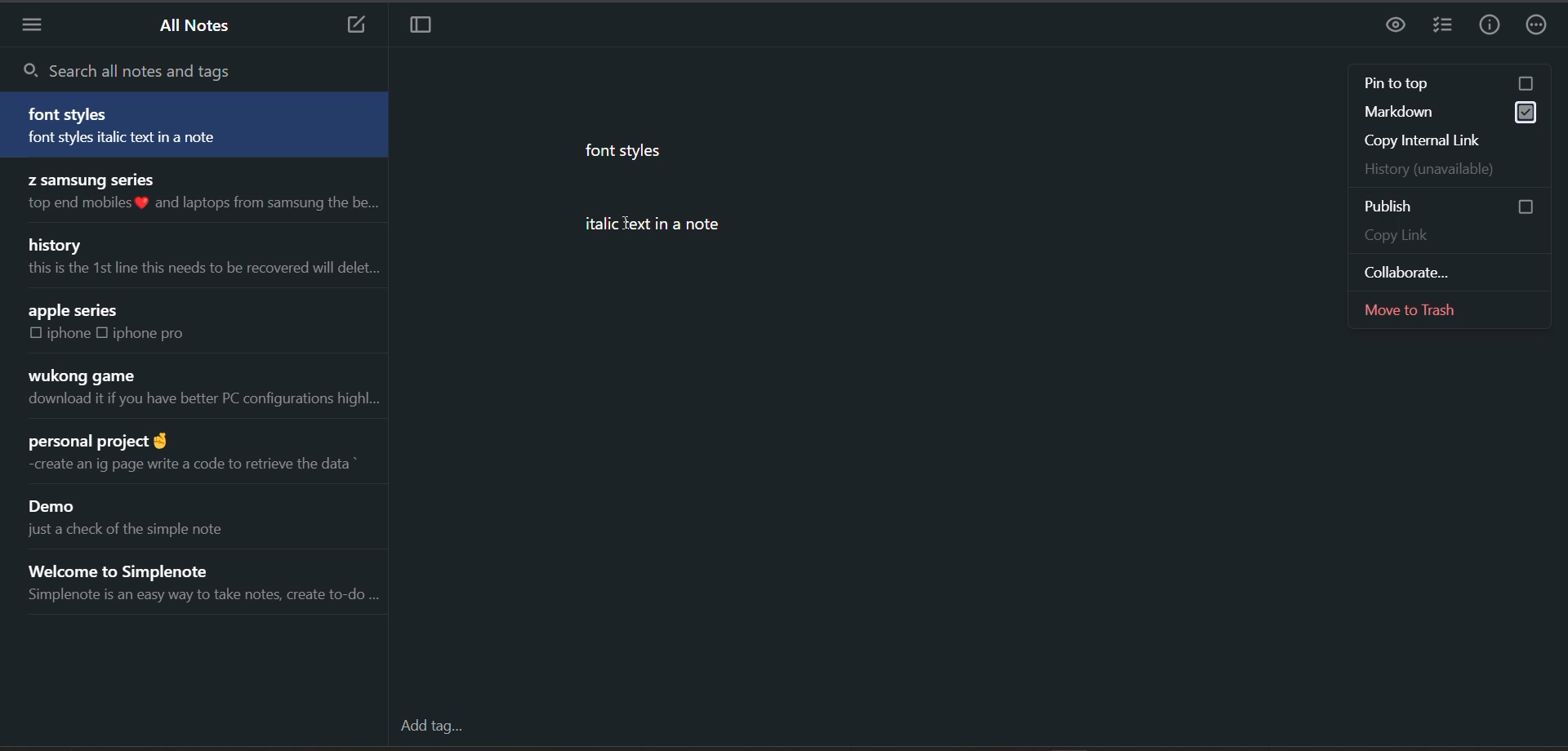  What do you see at coordinates (1451, 309) in the screenshot?
I see `move to trash` at bounding box center [1451, 309].